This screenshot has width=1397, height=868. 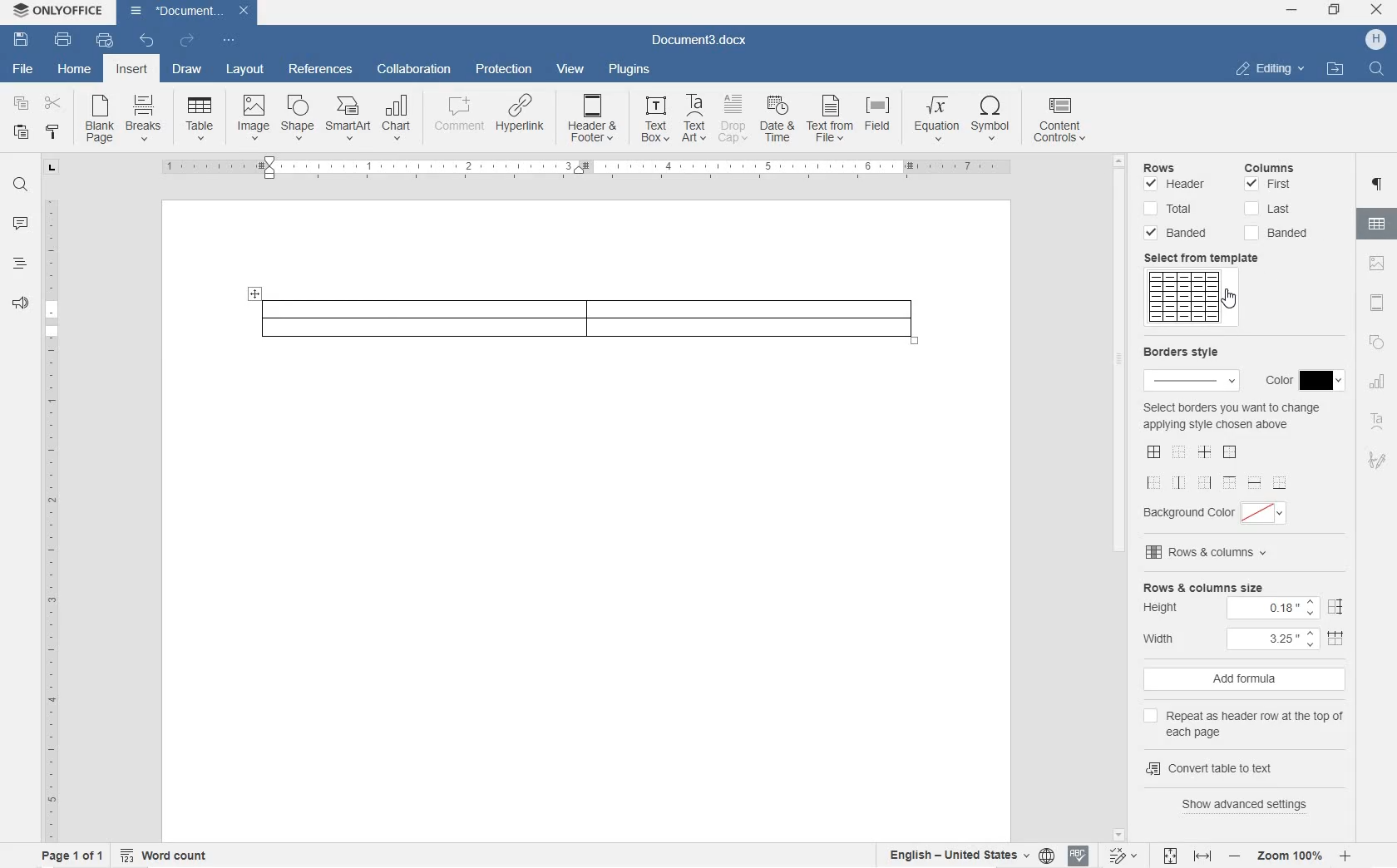 I want to click on Header & Footer, so click(x=594, y=121).